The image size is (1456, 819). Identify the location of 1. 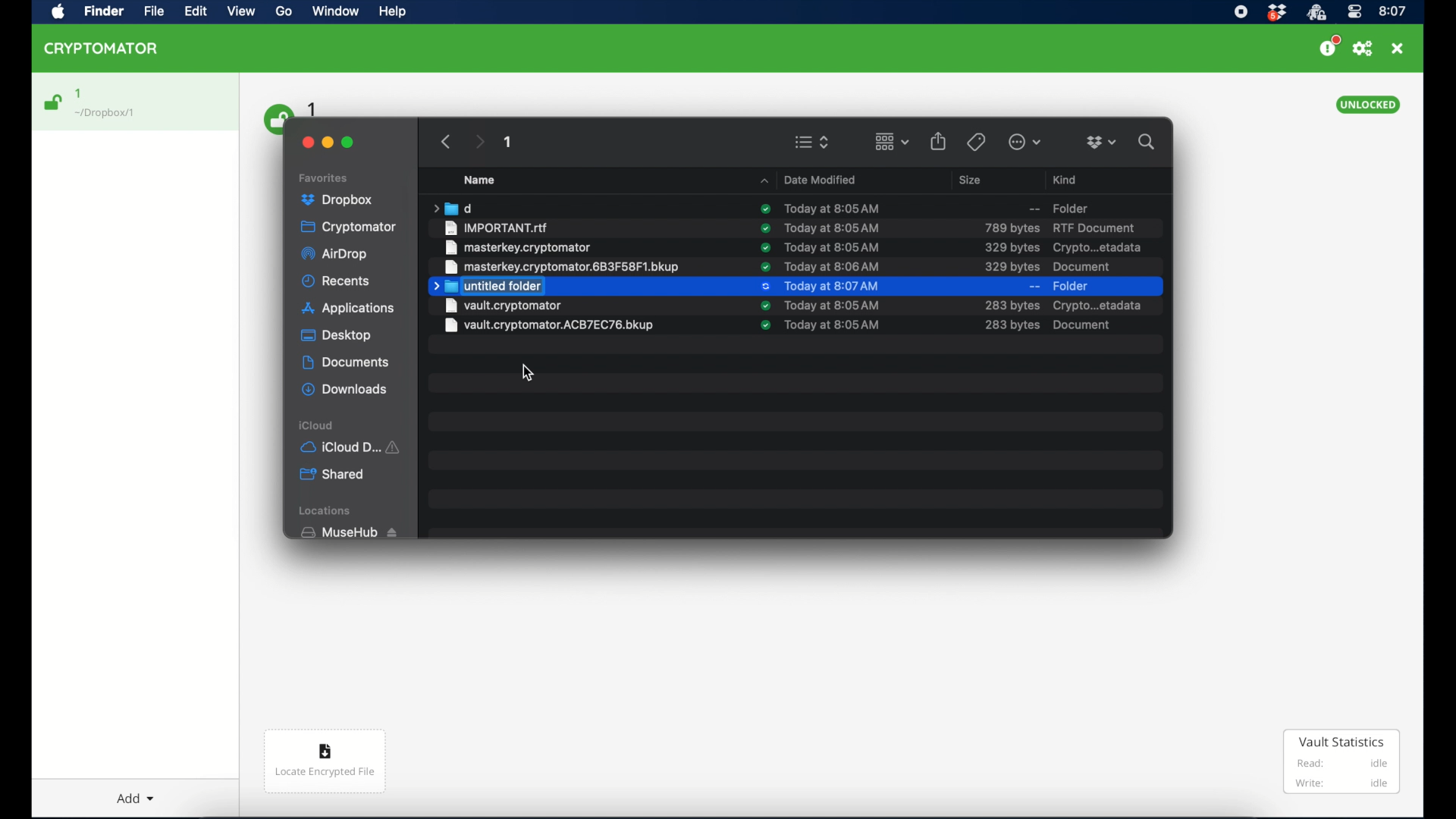
(509, 144).